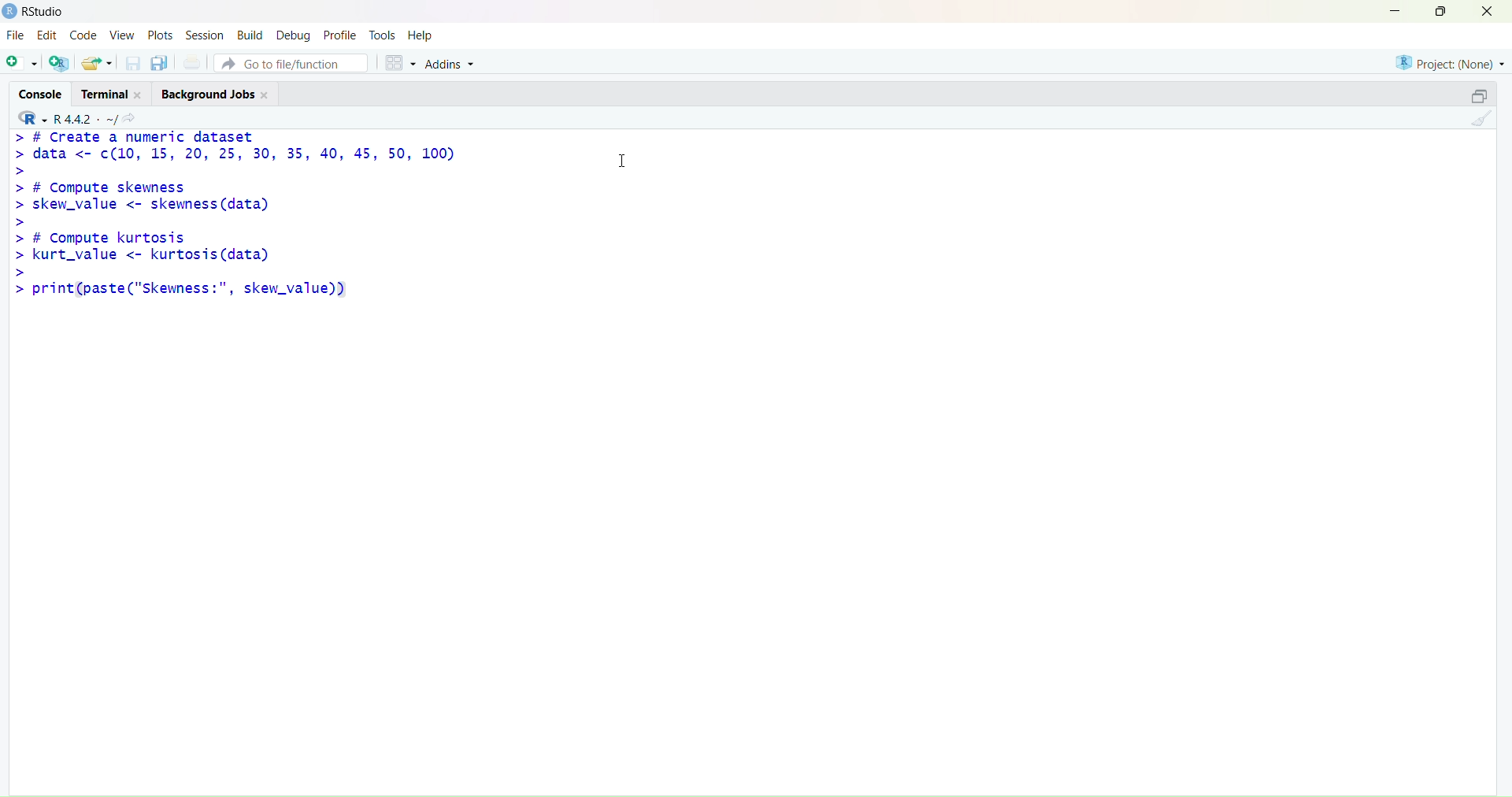  What do you see at coordinates (626, 159) in the screenshot?
I see `Text cursor` at bounding box center [626, 159].